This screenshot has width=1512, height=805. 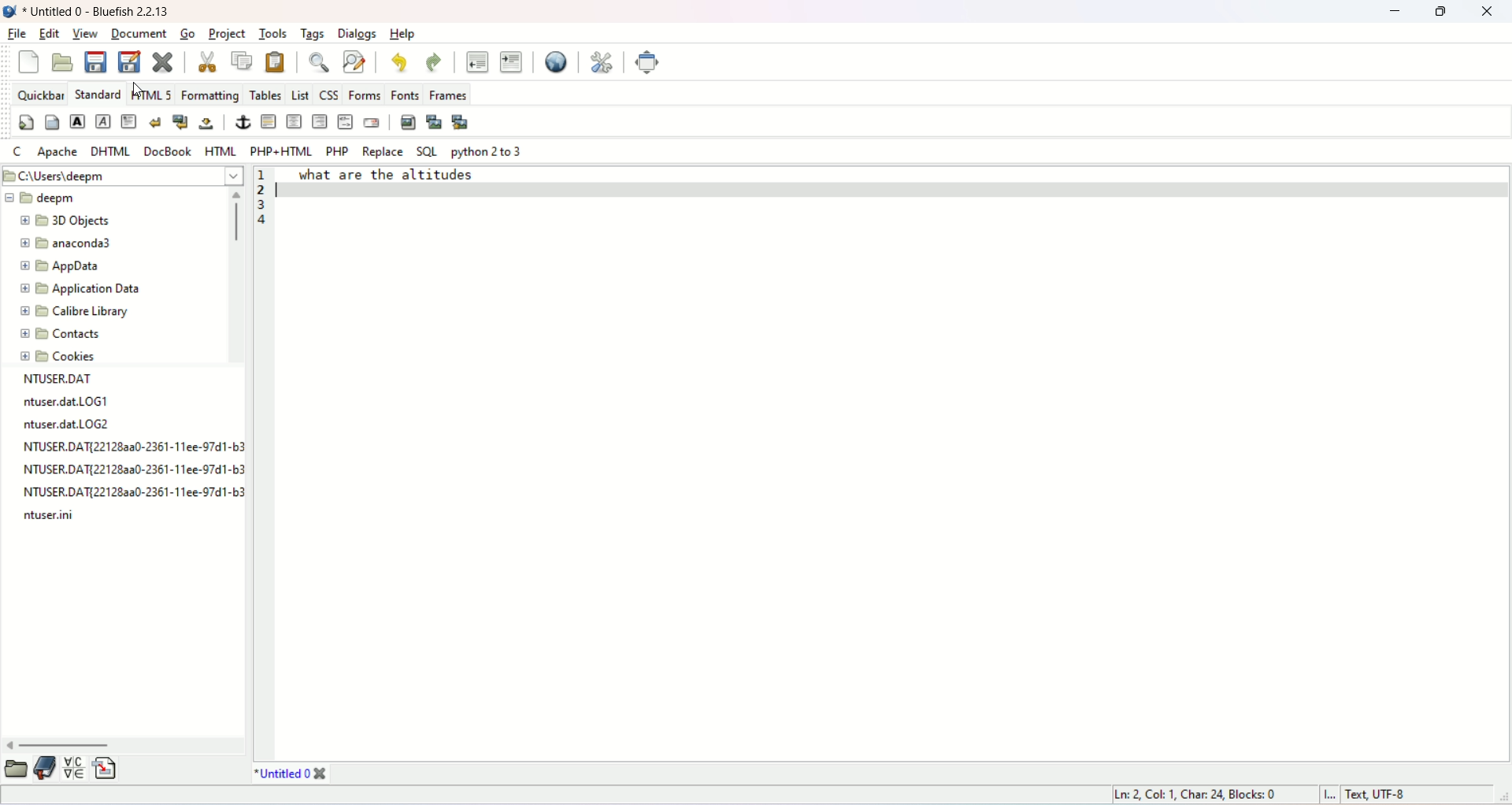 I want to click on CSS, so click(x=328, y=93).